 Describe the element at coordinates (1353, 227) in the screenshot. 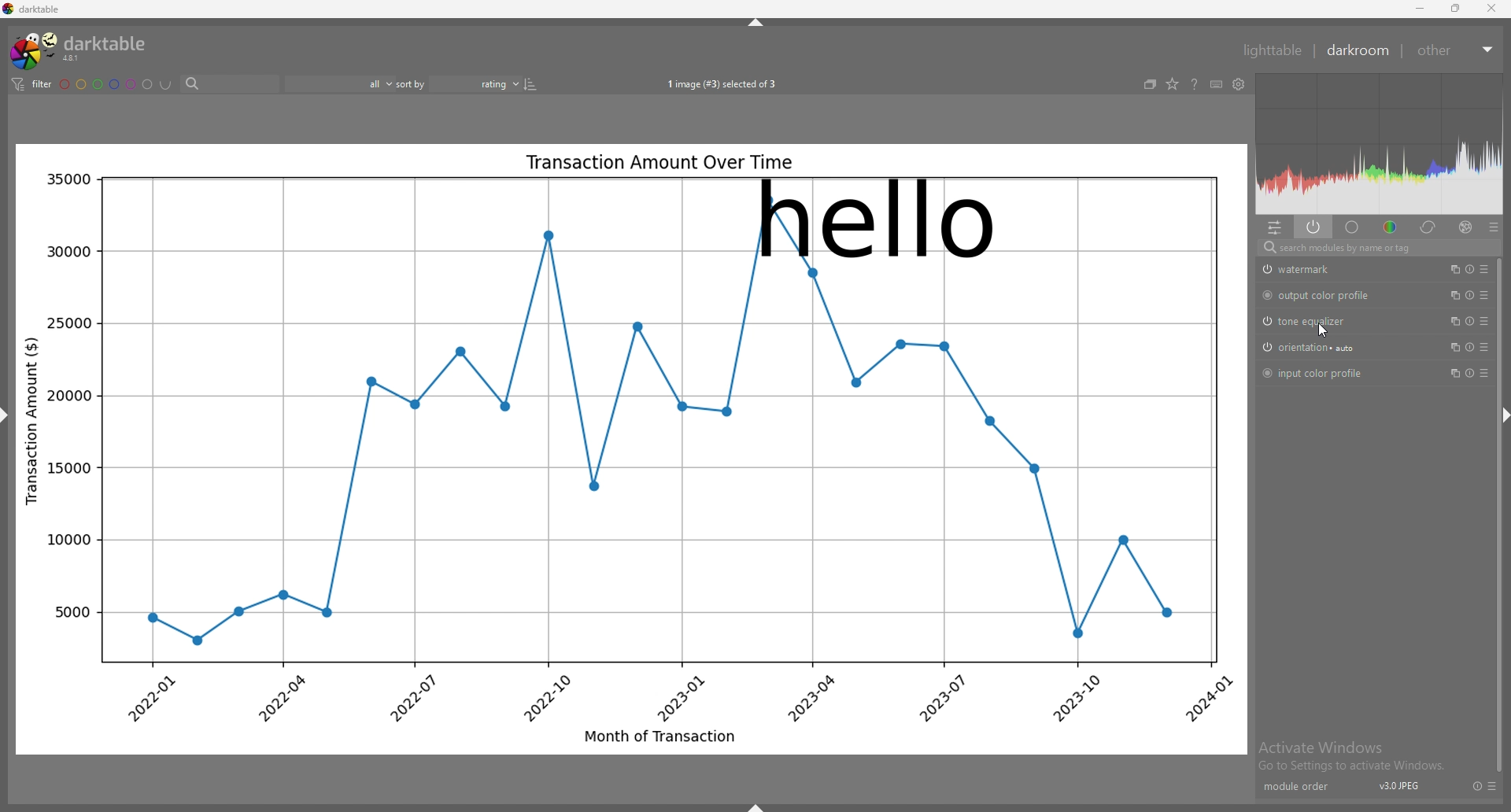

I see `base` at that location.